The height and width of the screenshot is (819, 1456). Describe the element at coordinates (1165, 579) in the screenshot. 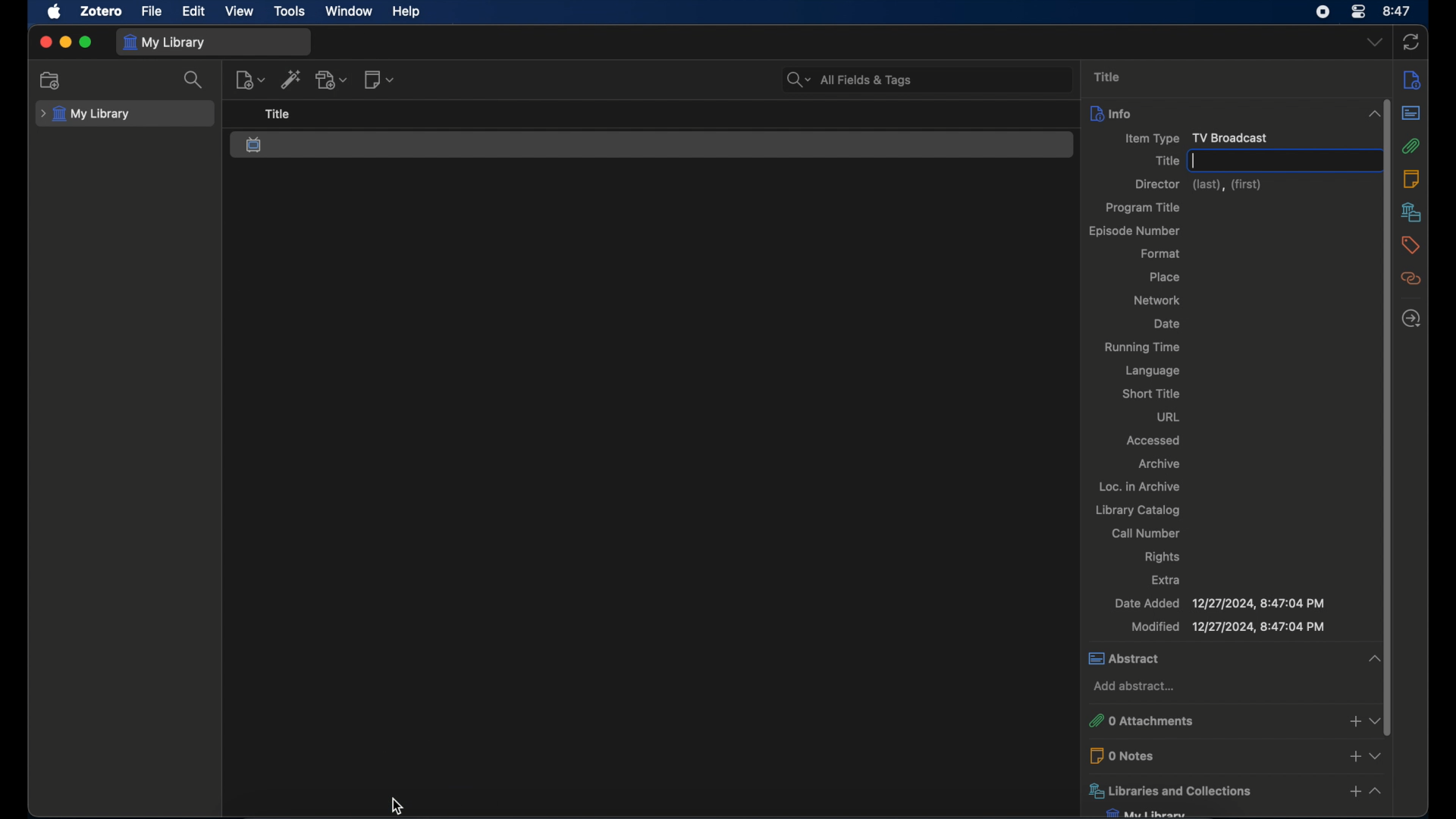

I see `extra` at that location.